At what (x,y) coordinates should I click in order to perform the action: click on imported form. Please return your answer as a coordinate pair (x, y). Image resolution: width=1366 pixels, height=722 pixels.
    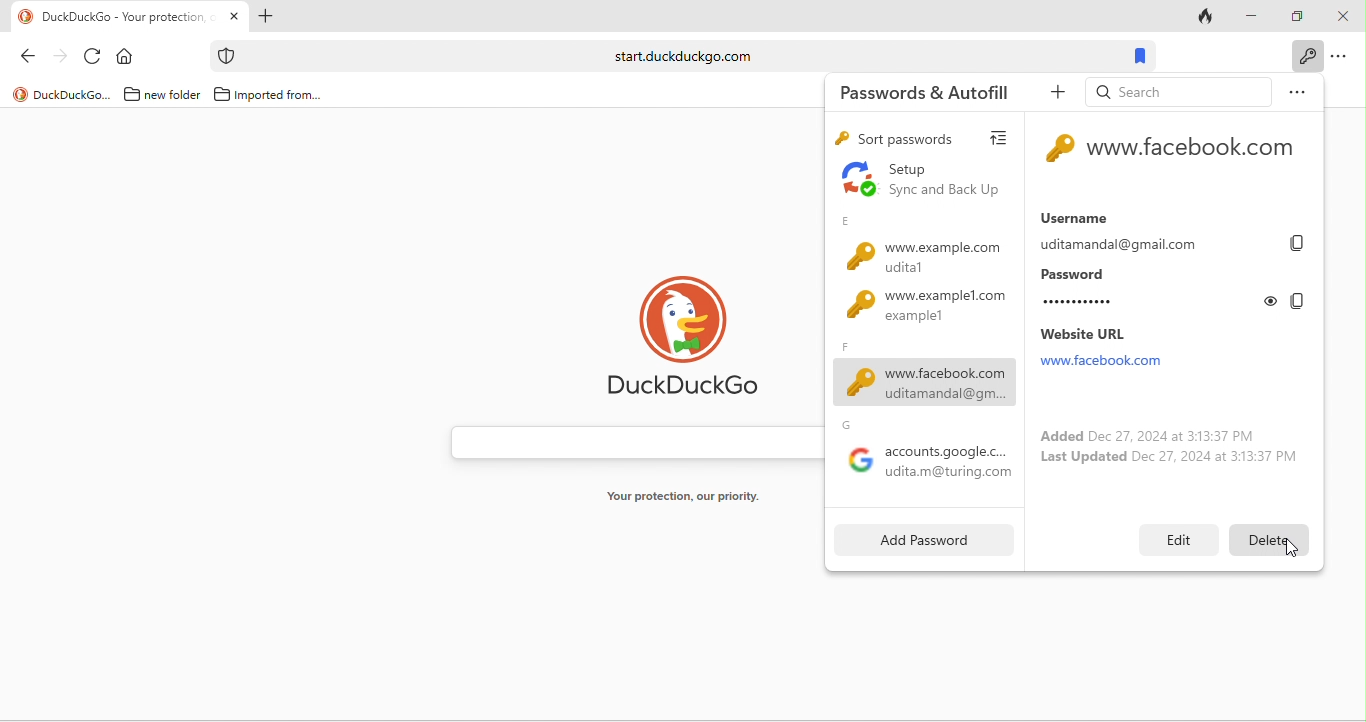
    Looking at the image, I should click on (270, 95).